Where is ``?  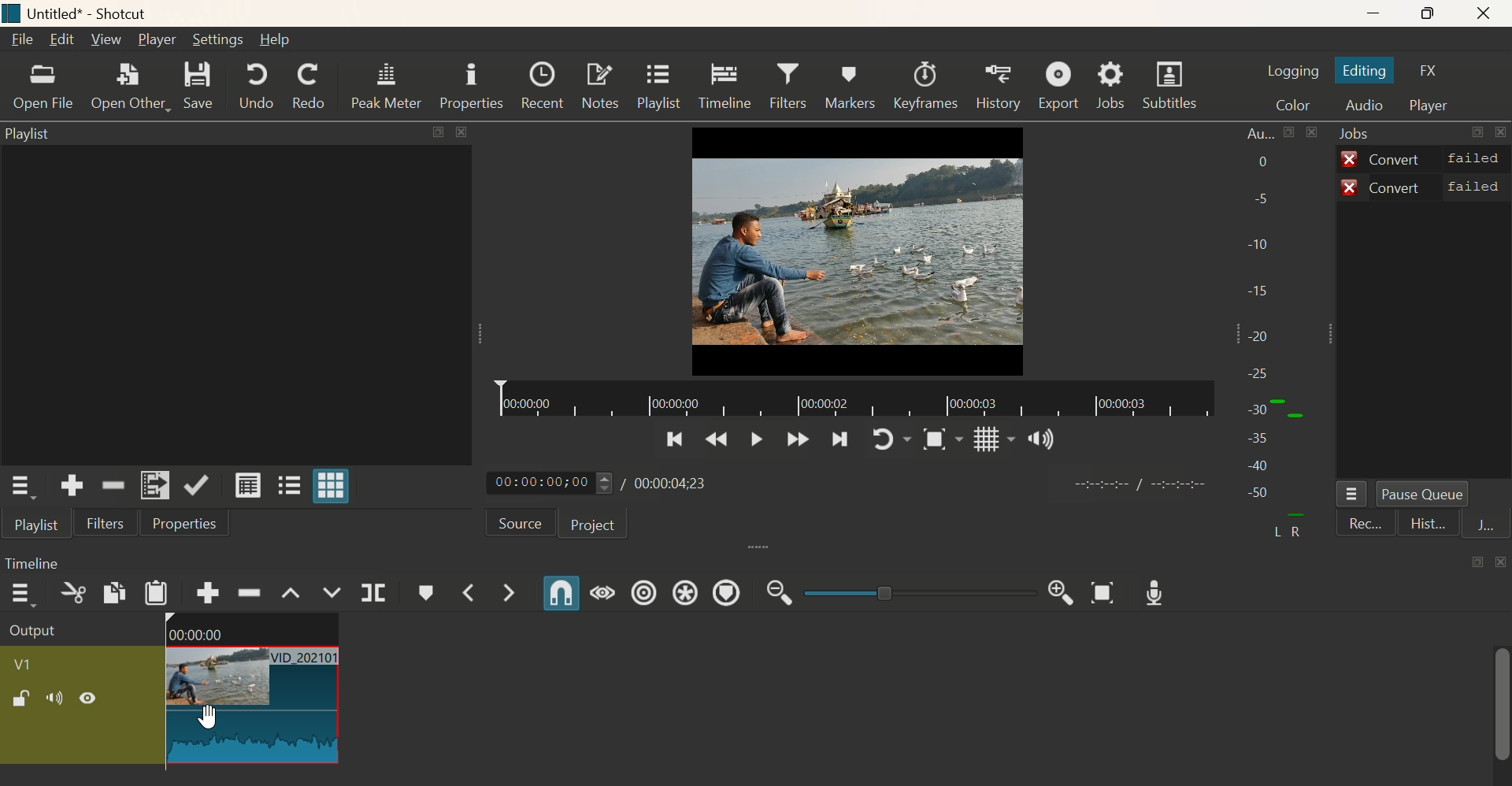
 is located at coordinates (1058, 594).